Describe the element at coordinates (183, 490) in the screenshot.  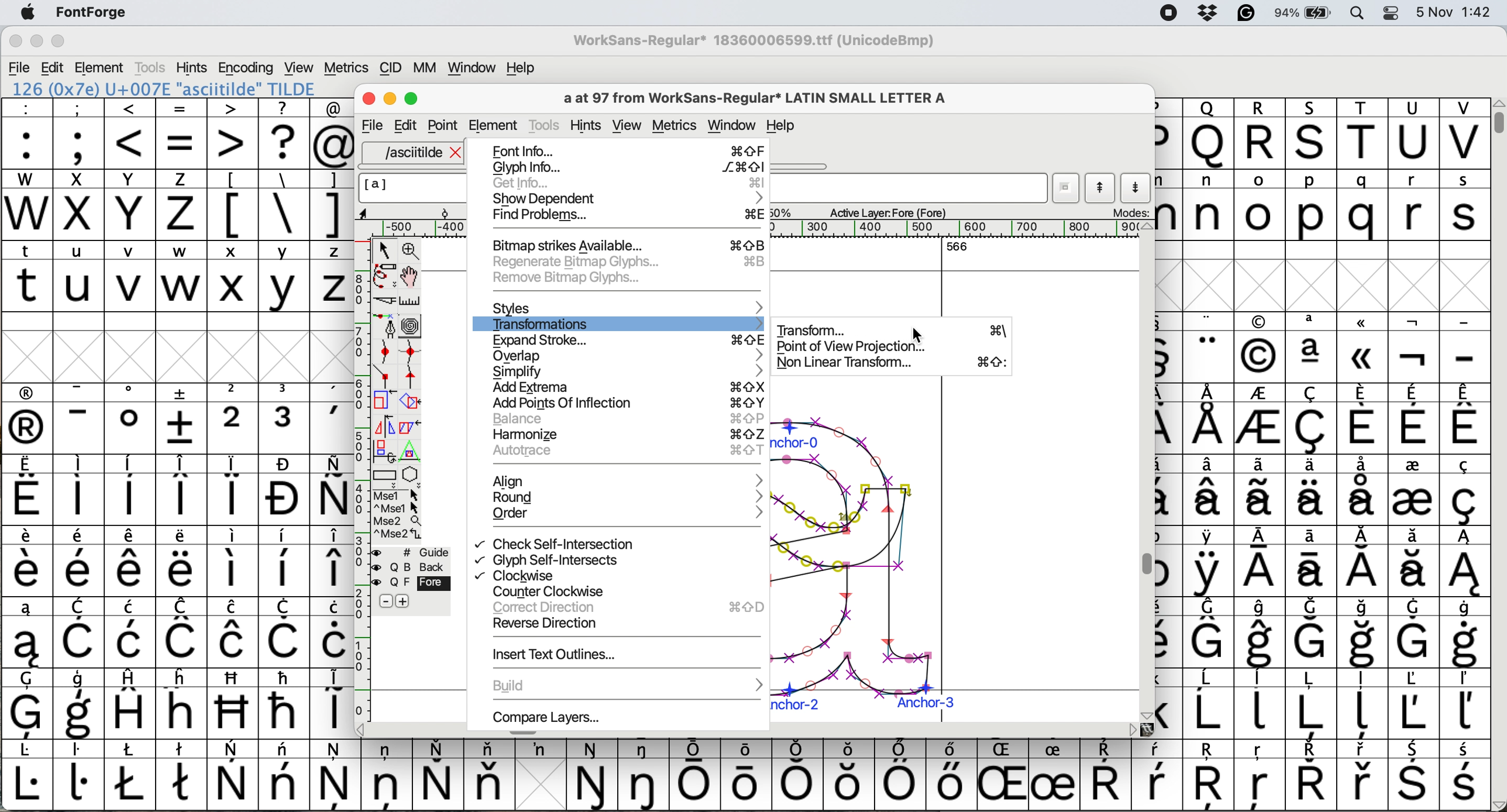
I see `symbol` at that location.